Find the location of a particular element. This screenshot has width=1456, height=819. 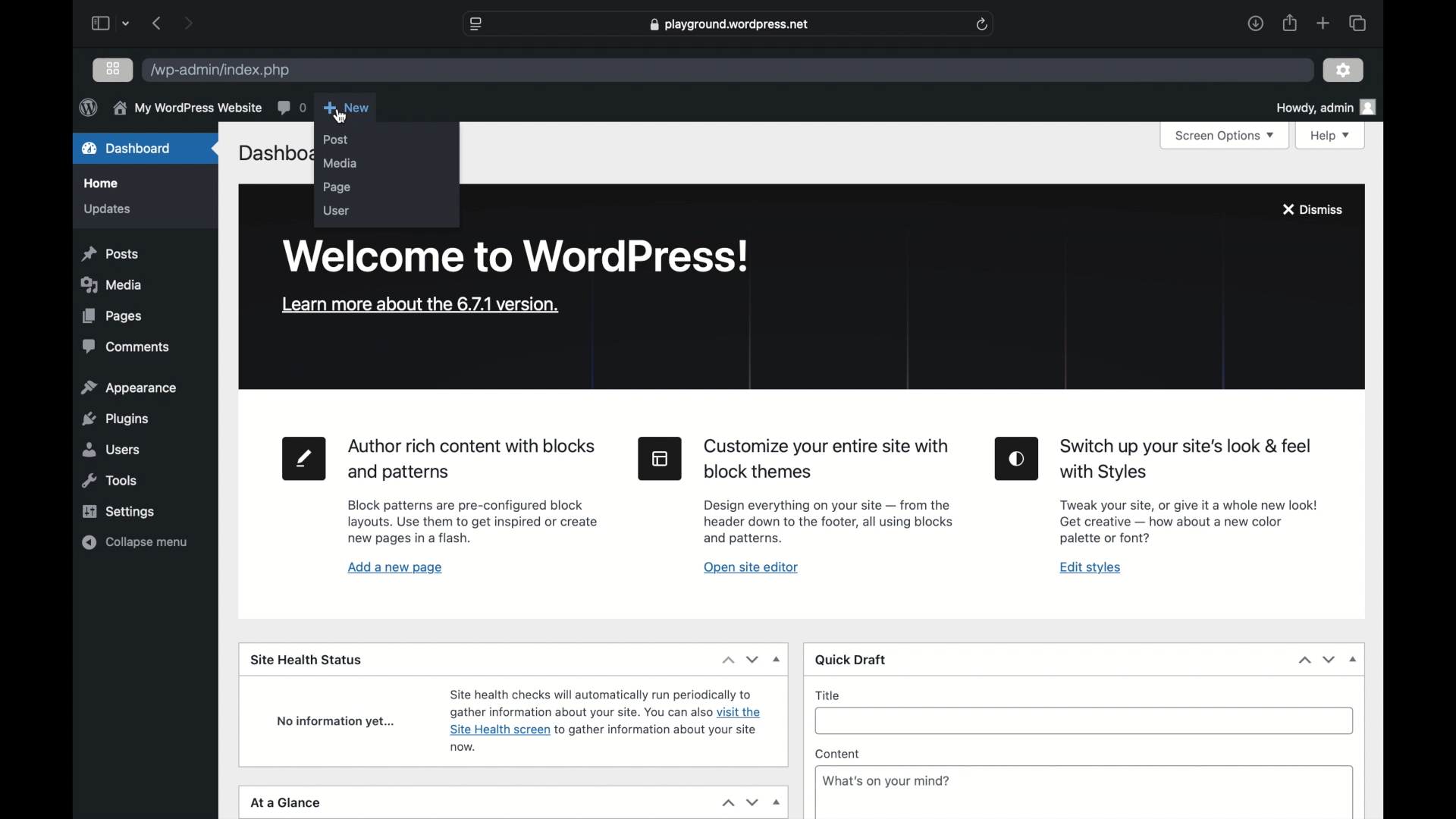

pages is located at coordinates (112, 316).